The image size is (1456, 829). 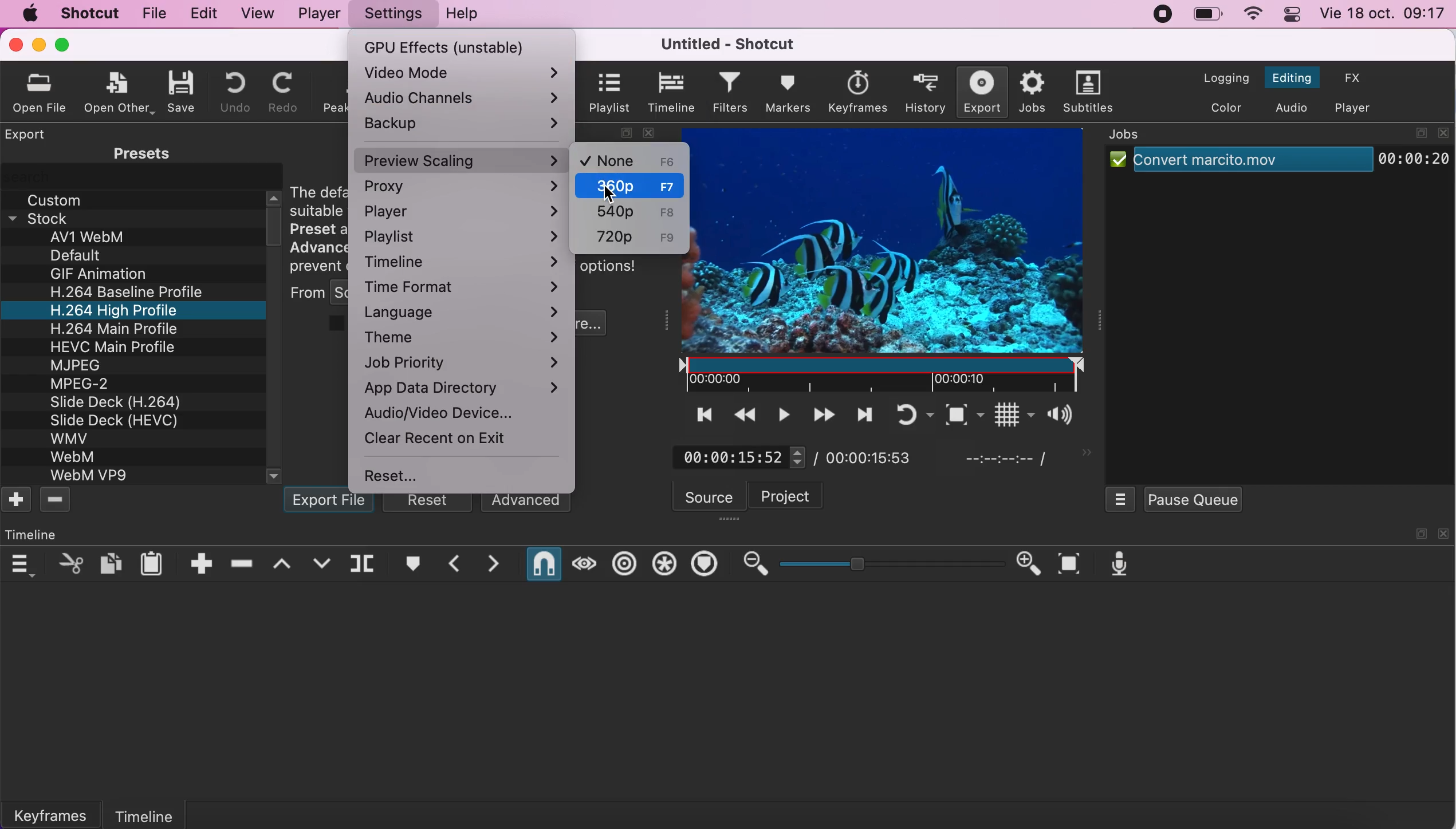 What do you see at coordinates (58, 501) in the screenshot?
I see `delete` at bounding box center [58, 501].